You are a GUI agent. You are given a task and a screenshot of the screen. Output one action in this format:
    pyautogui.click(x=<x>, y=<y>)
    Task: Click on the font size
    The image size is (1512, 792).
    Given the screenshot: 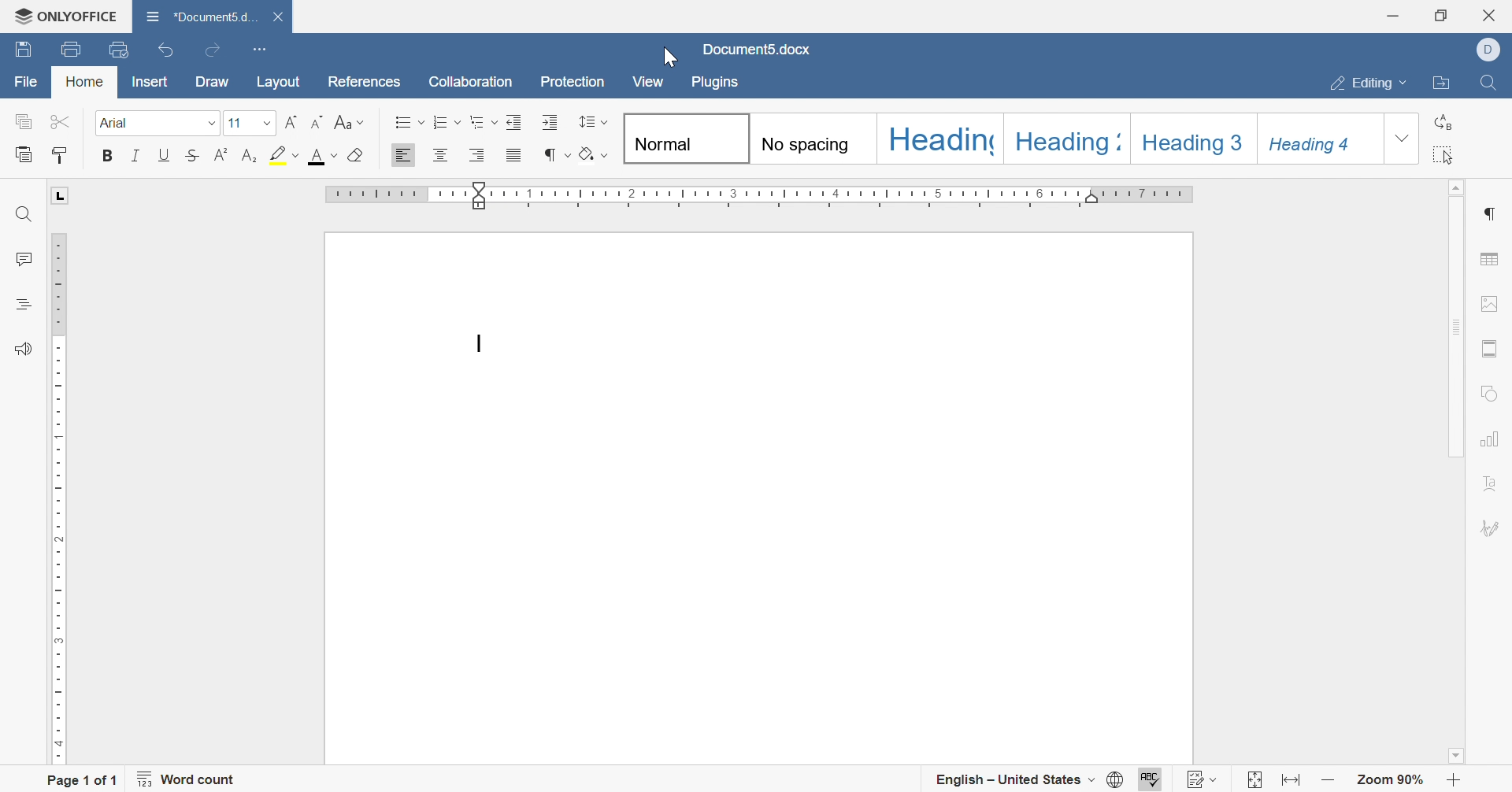 What is the action you would take?
    pyautogui.click(x=234, y=123)
    